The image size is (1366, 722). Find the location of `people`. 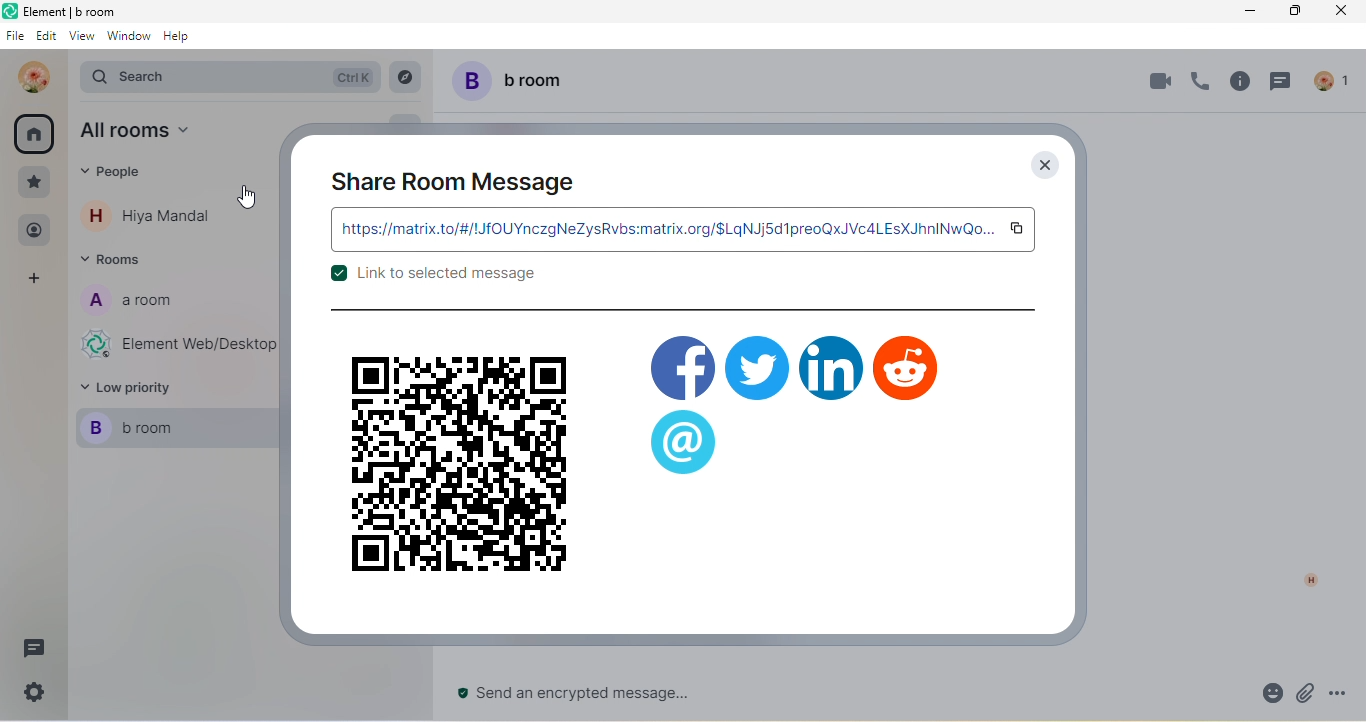

people is located at coordinates (34, 231).